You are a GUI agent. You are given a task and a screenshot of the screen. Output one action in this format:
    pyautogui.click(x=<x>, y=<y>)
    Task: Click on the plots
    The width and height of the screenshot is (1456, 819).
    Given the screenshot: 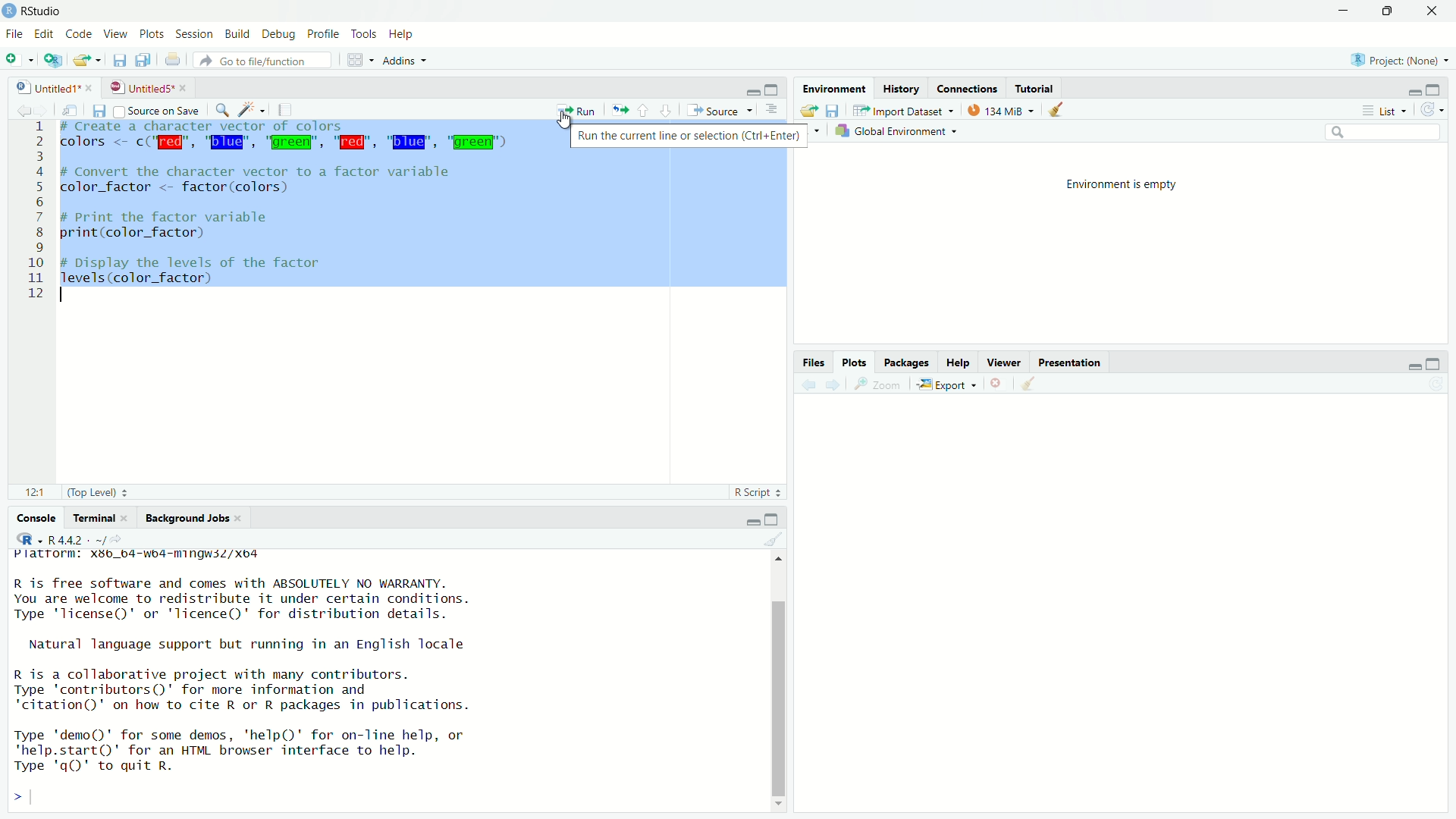 What is the action you would take?
    pyautogui.click(x=152, y=35)
    